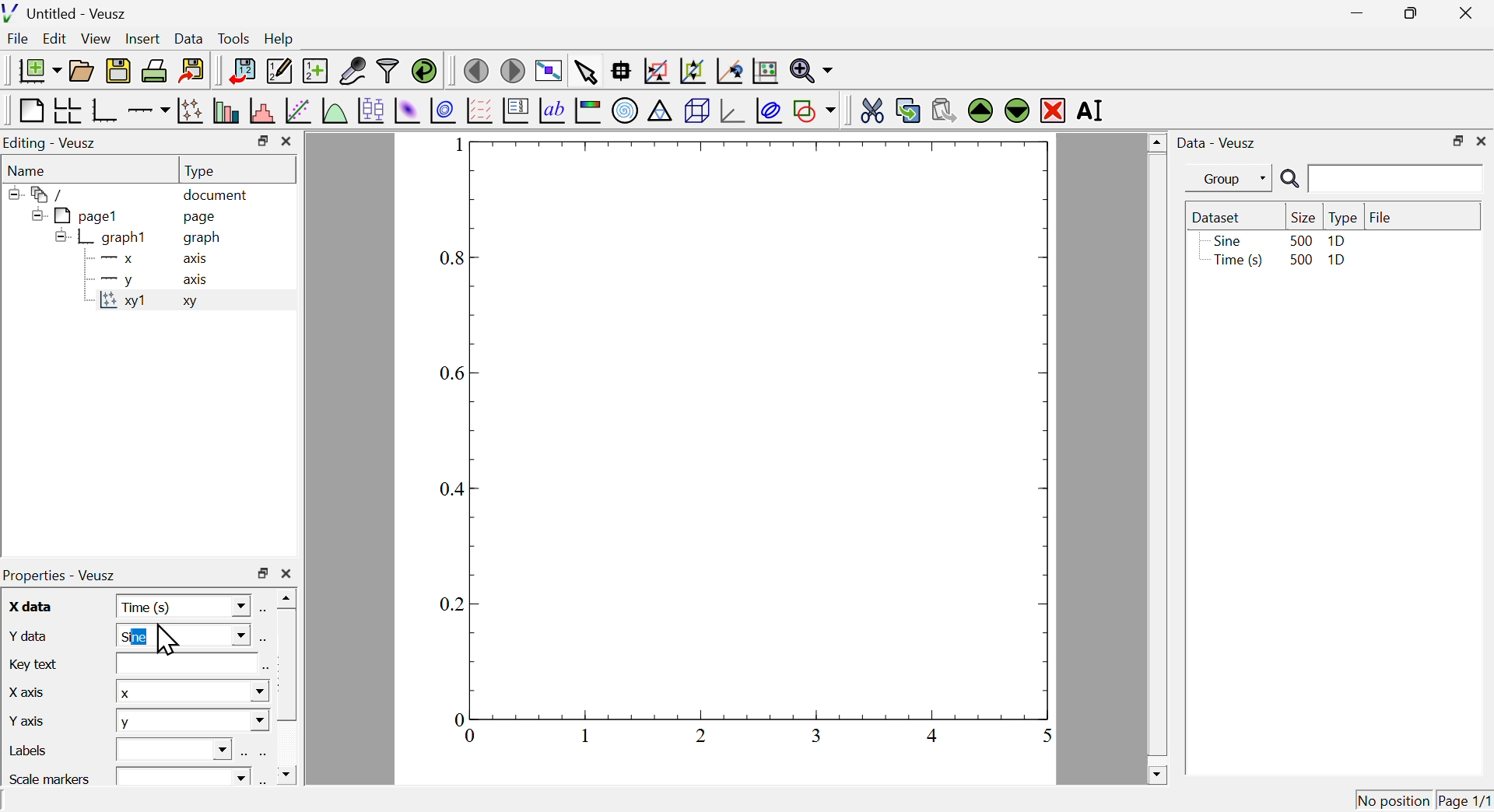 The height and width of the screenshot is (812, 1494). I want to click on Edit, so click(55, 40).